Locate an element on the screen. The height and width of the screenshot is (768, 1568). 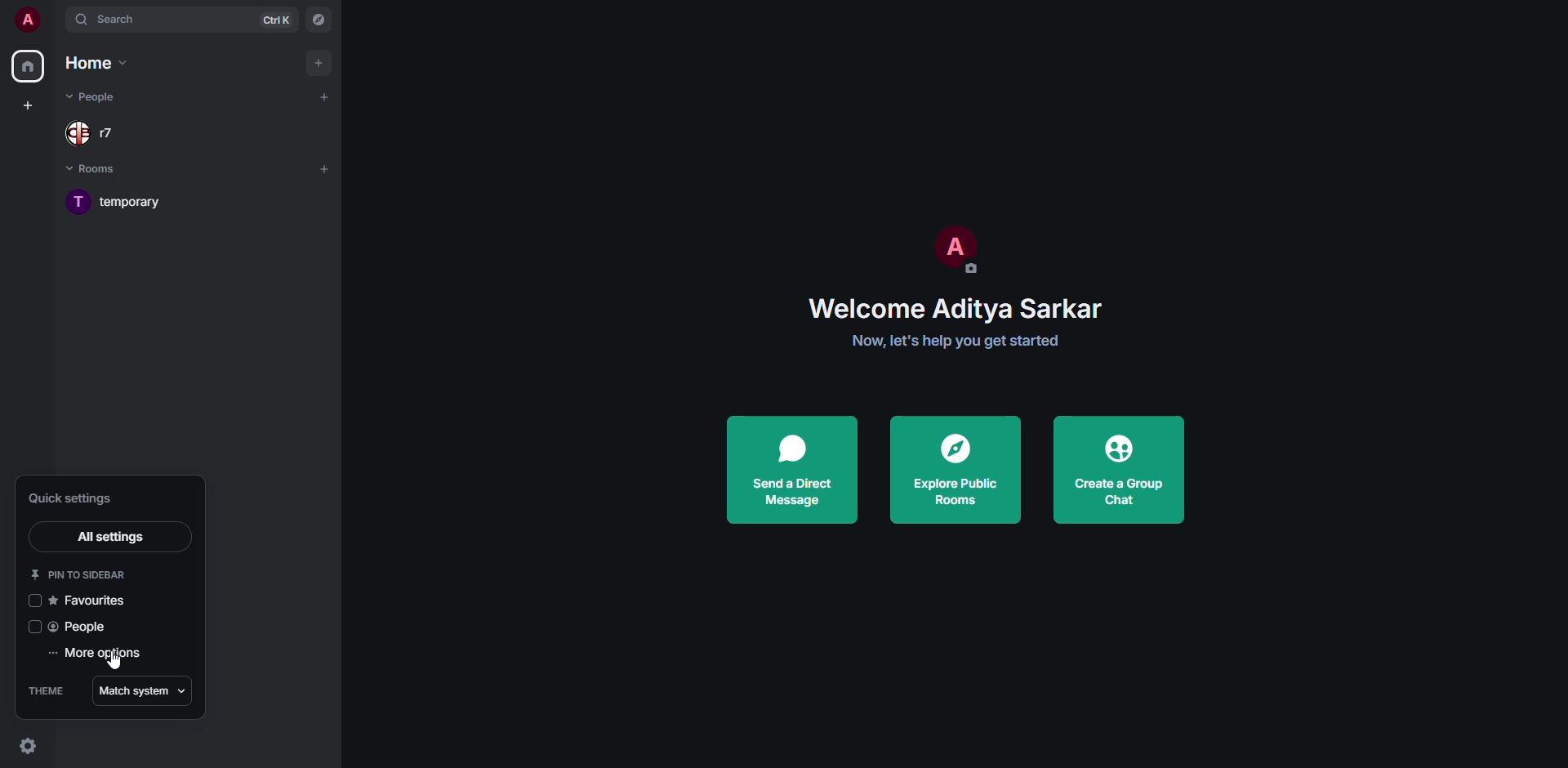
navigator is located at coordinates (317, 19).